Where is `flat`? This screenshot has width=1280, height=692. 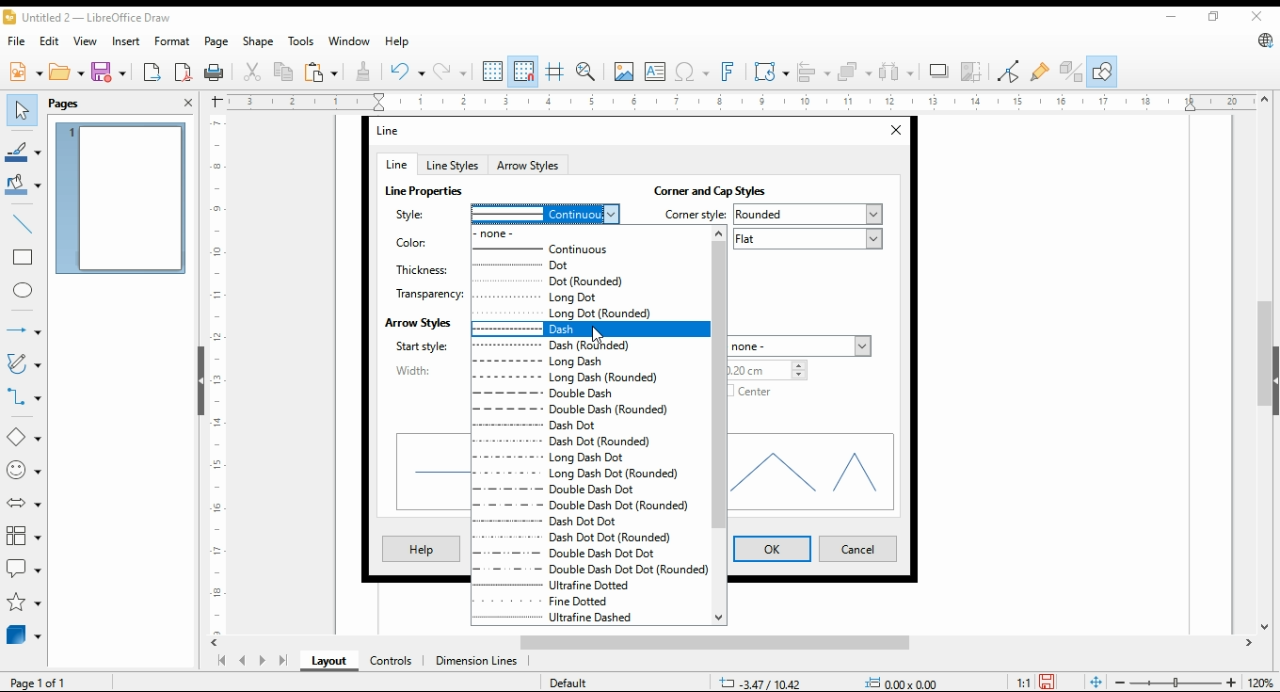 flat is located at coordinates (806, 239).